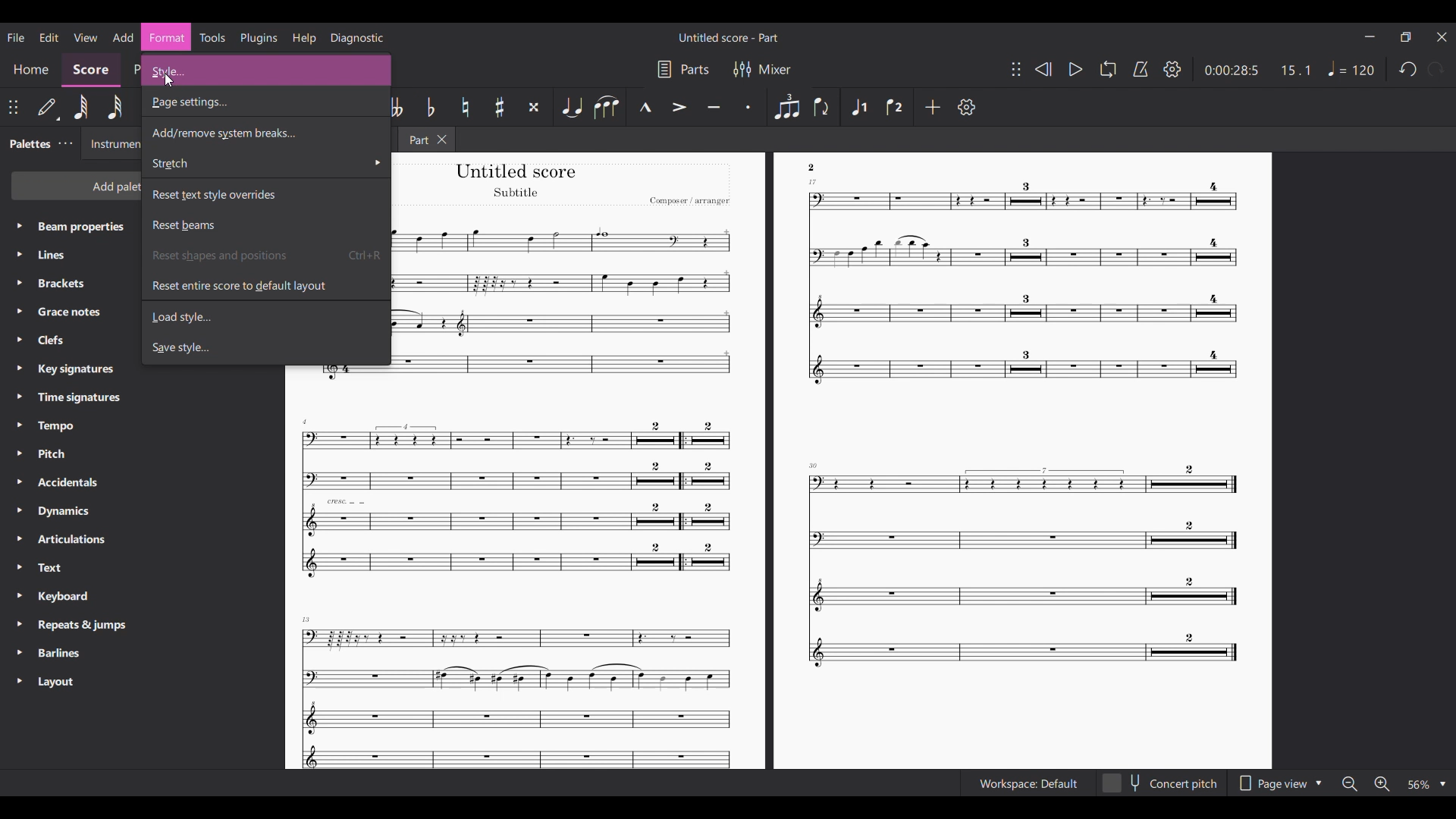 The width and height of the screenshot is (1456, 819). I want to click on Mixer settings, so click(761, 70).